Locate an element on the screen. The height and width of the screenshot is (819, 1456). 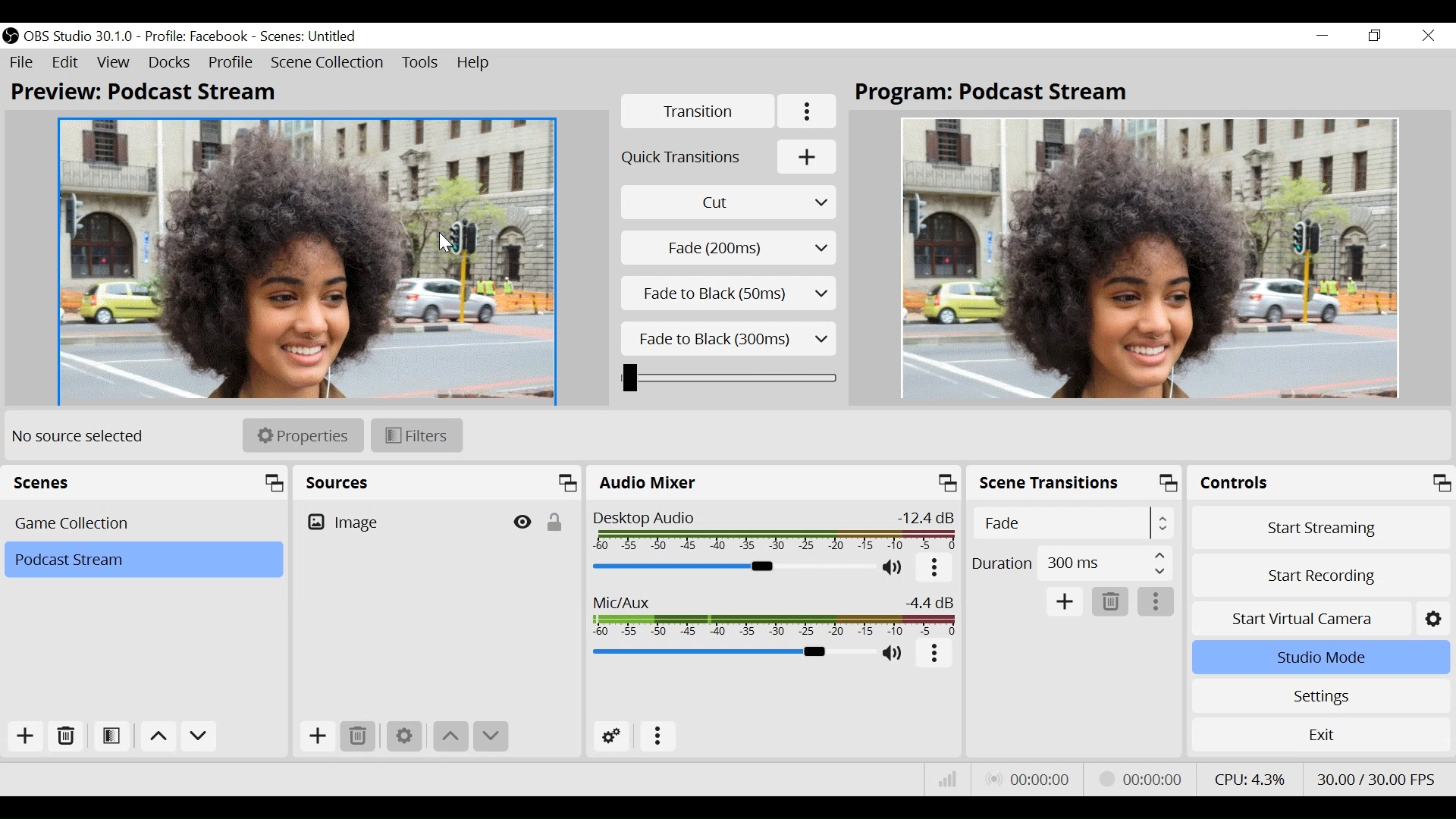
Studio Mode is located at coordinates (1319, 658).